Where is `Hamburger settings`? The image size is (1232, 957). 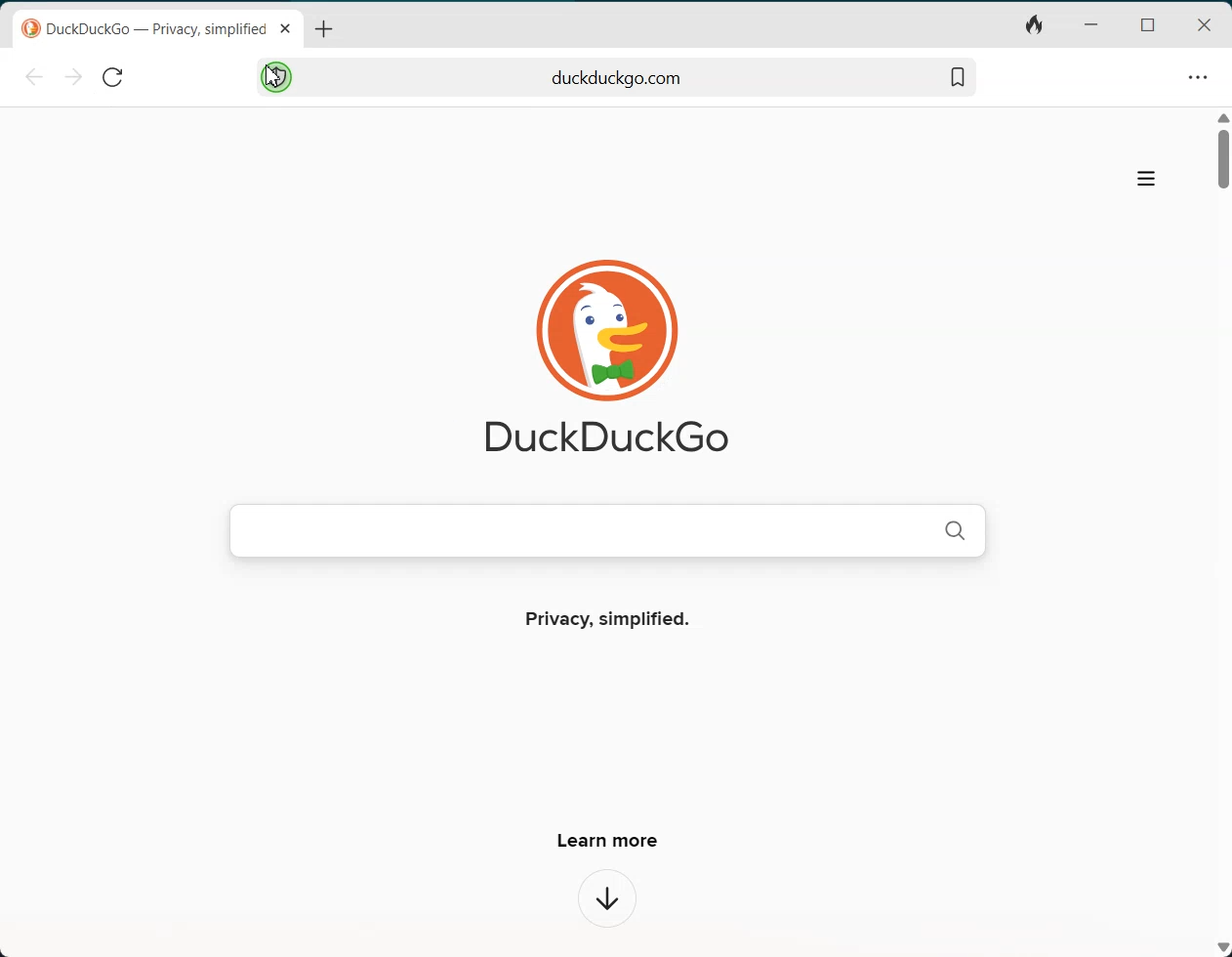 Hamburger settings is located at coordinates (1146, 181).